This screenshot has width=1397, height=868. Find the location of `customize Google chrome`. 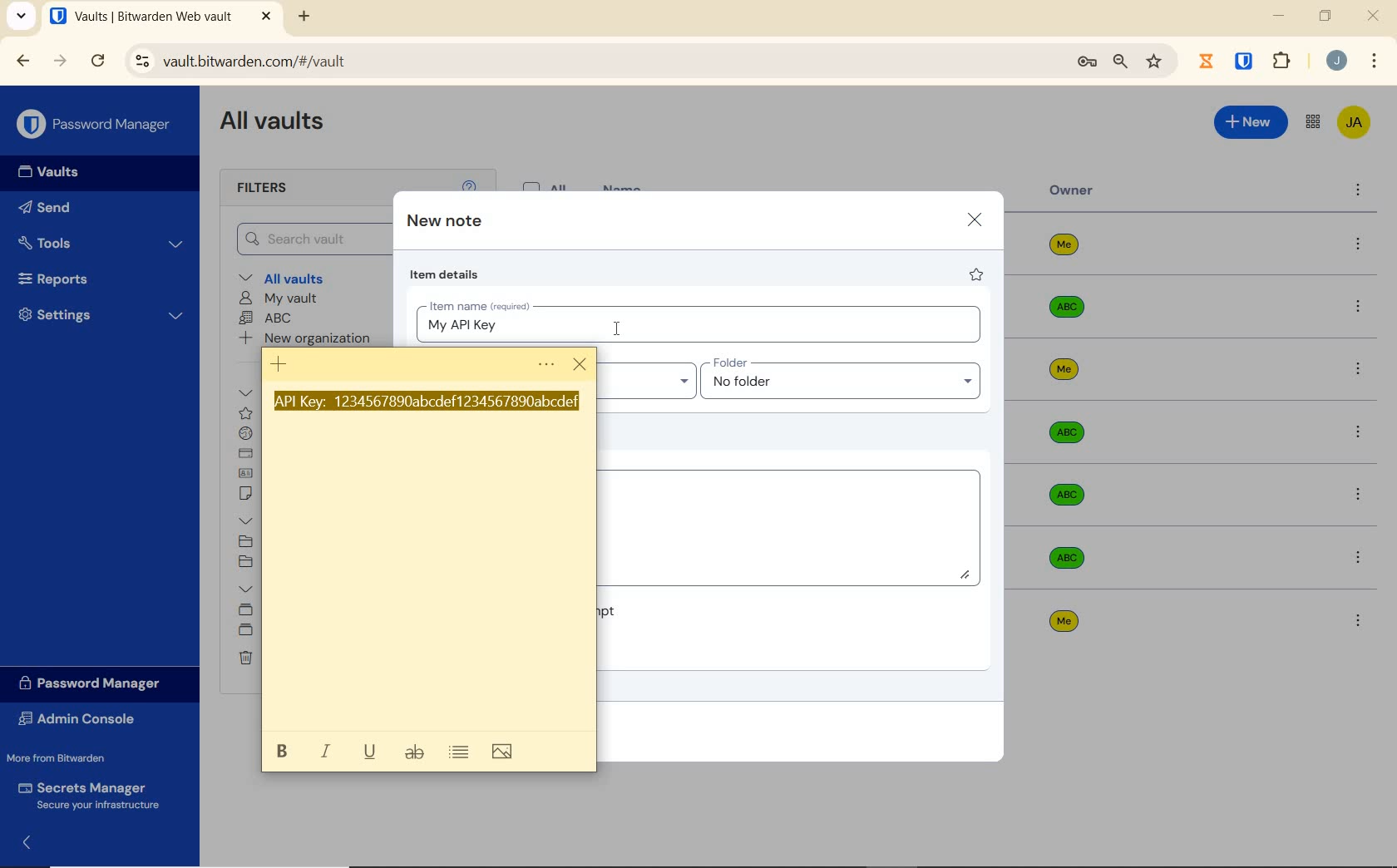

customize Google chrome is located at coordinates (1374, 62).